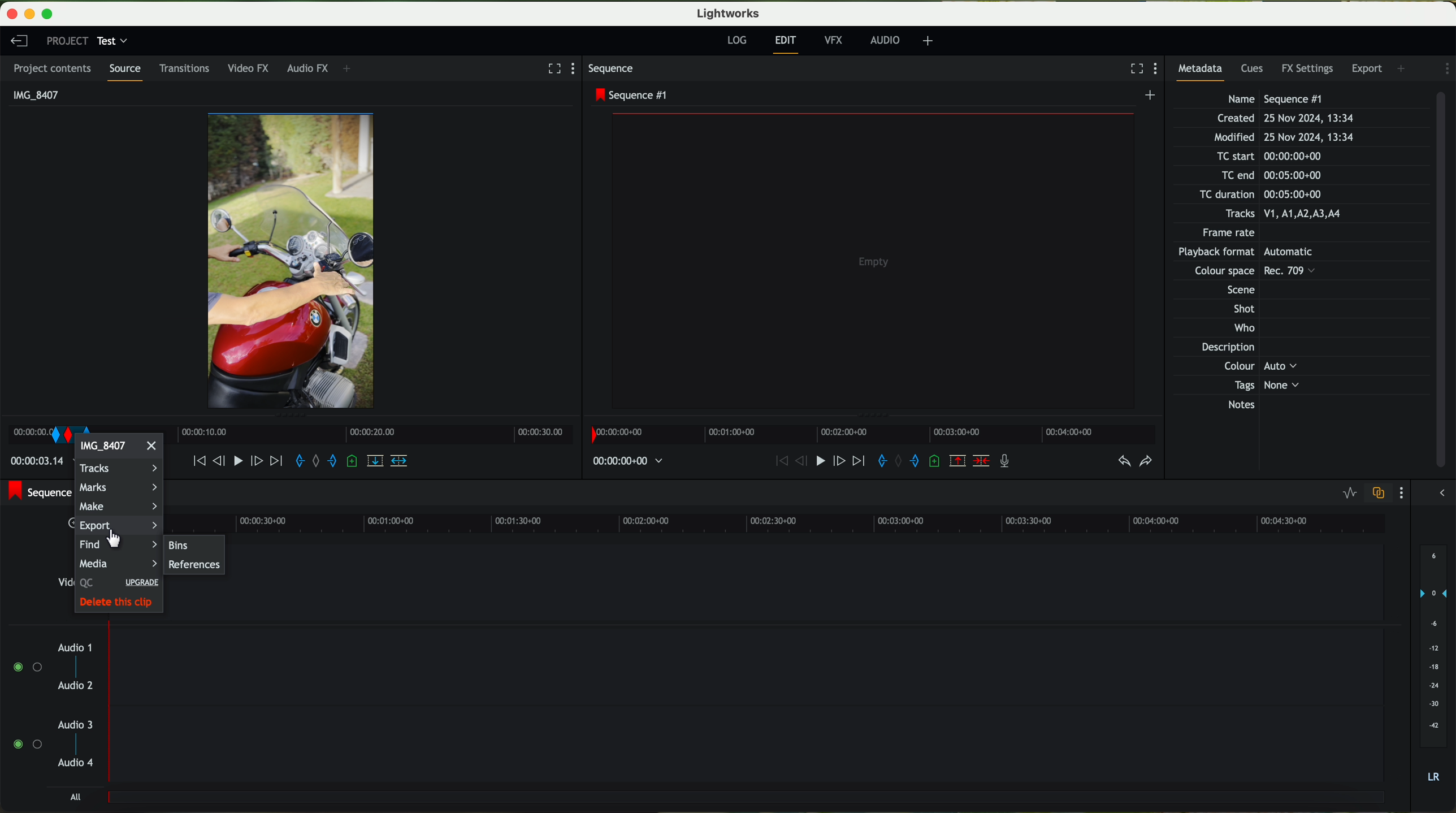 The height and width of the screenshot is (813, 1456). What do you see at coordinates (1278, 98) in the screenshot?
I see `Name` at bounding box center [1278, 98].